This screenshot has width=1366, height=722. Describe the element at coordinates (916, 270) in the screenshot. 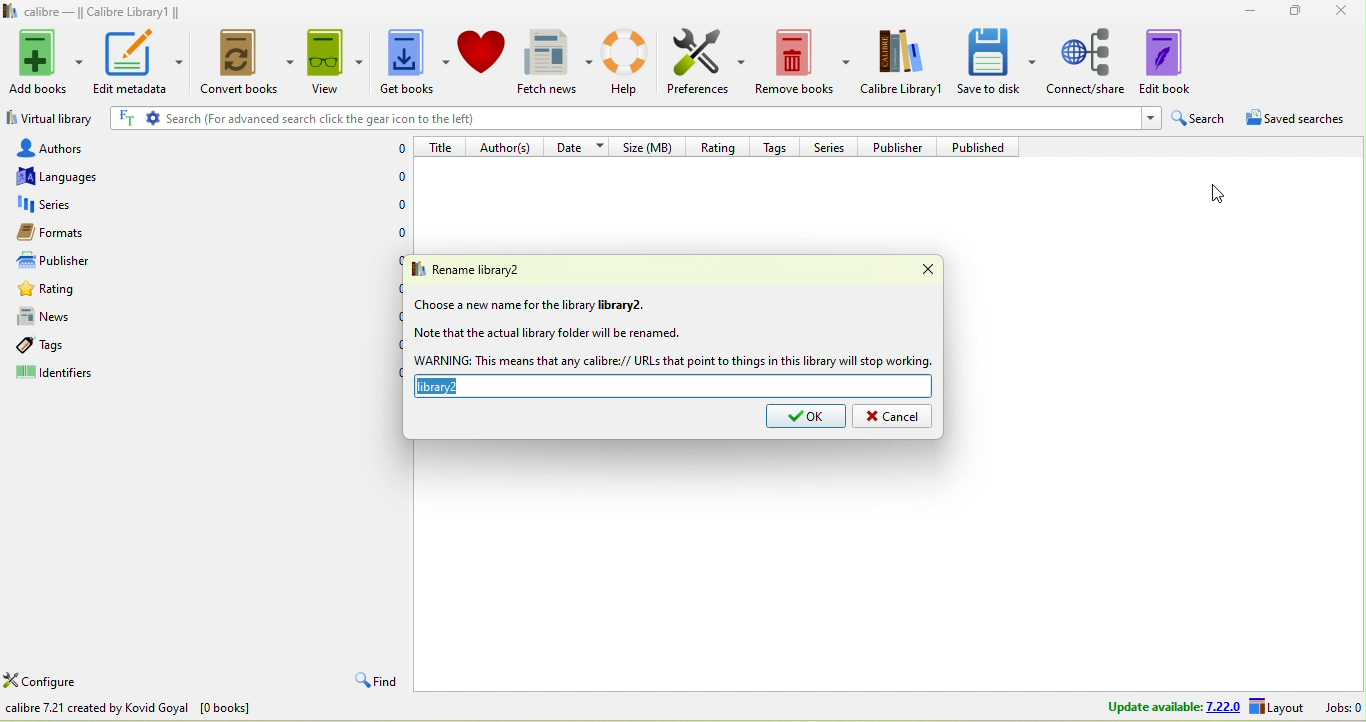

I see `close` at that location.